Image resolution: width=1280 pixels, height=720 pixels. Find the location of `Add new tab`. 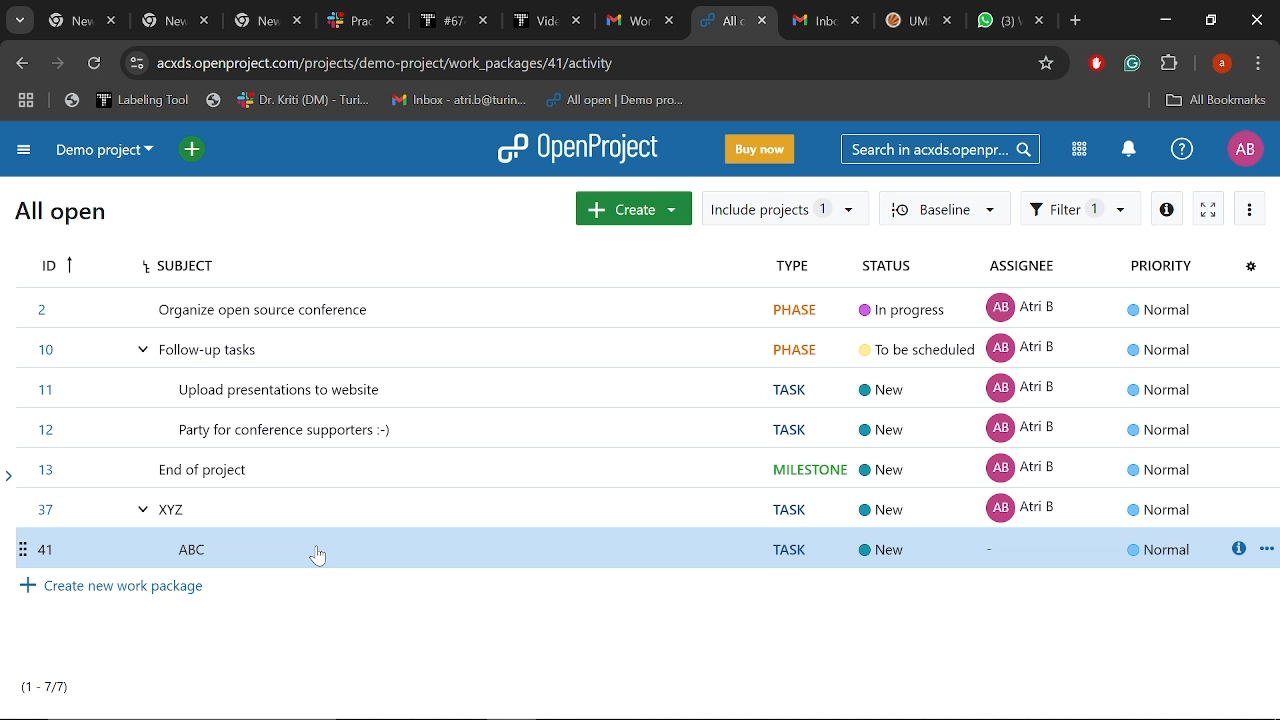

Add new tab is located at coordinates (1076, 23).